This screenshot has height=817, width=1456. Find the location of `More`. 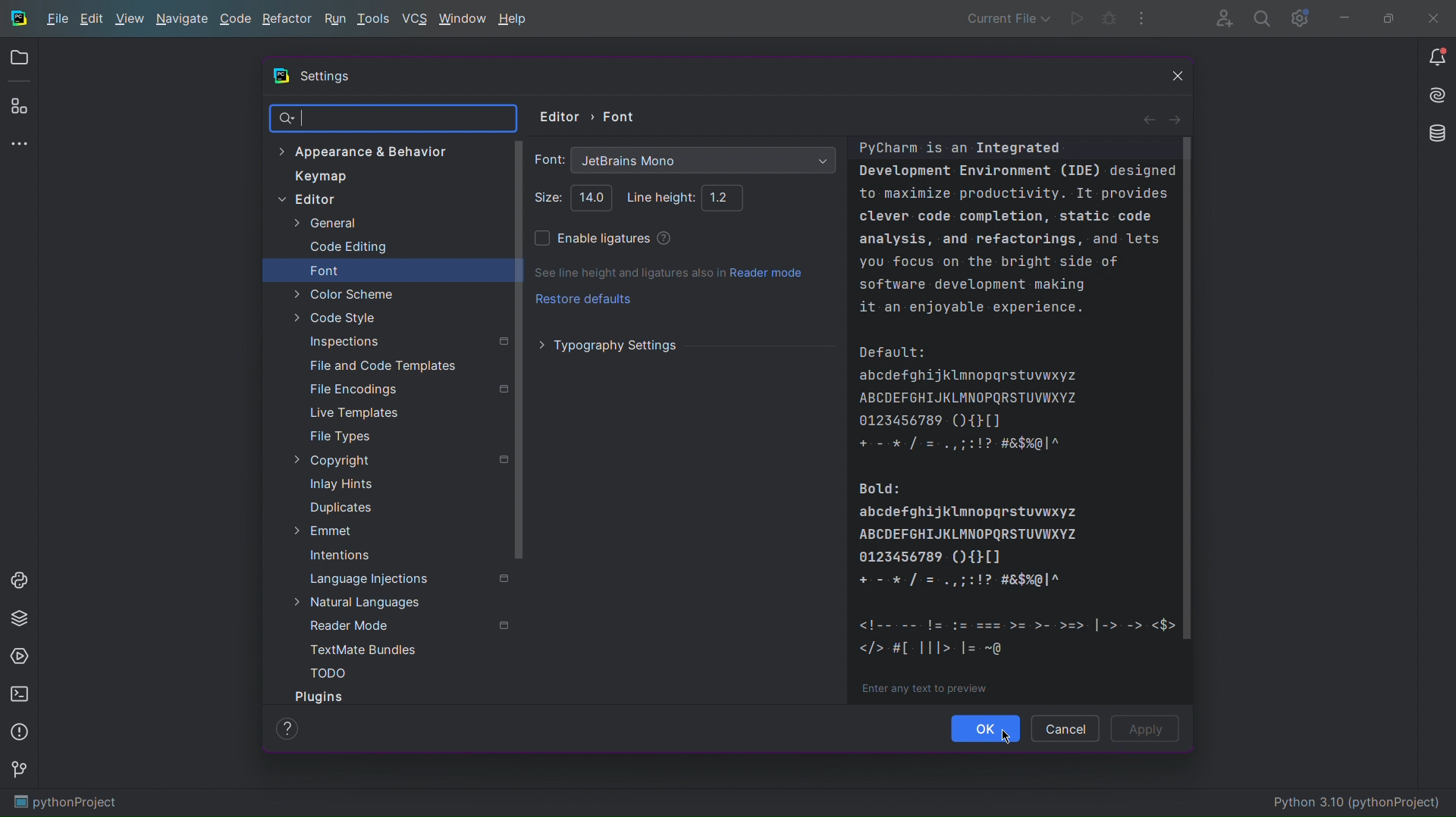

More is located at coordinates (1142, 19).